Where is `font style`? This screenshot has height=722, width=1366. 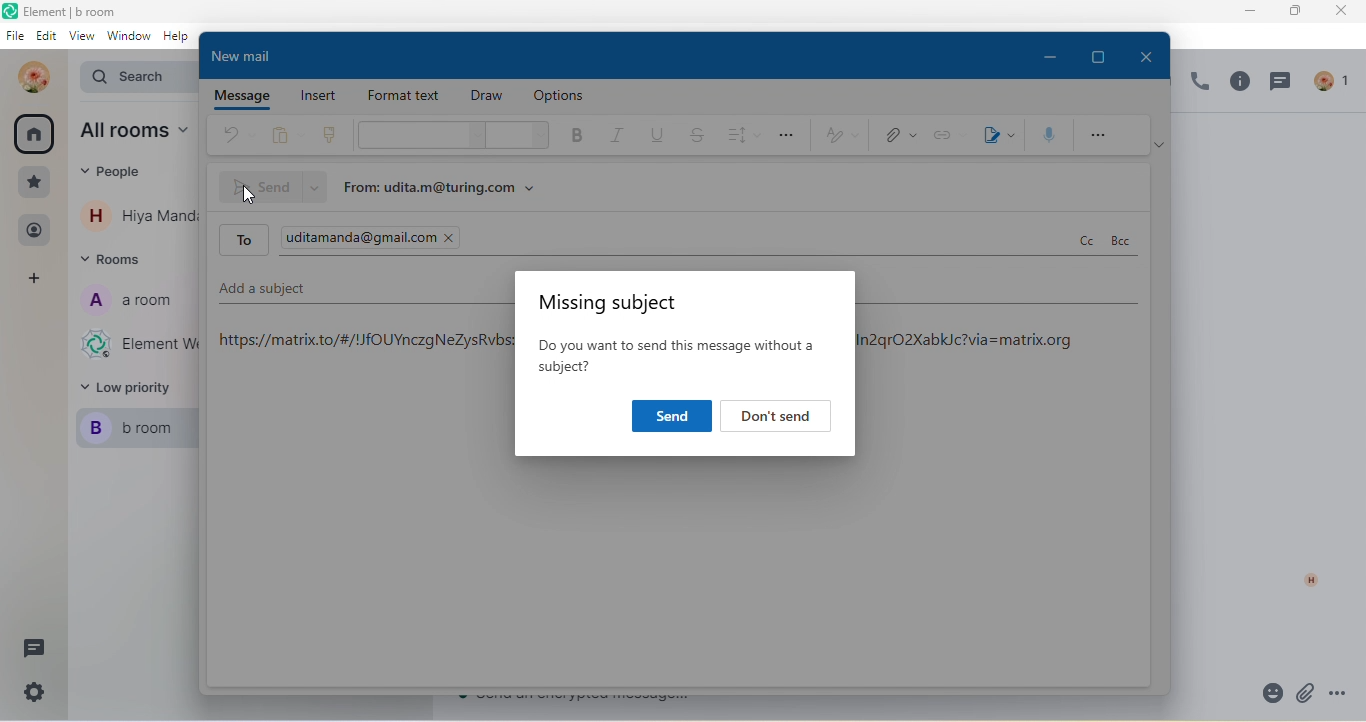 font style is located at coordinates (416, 137).